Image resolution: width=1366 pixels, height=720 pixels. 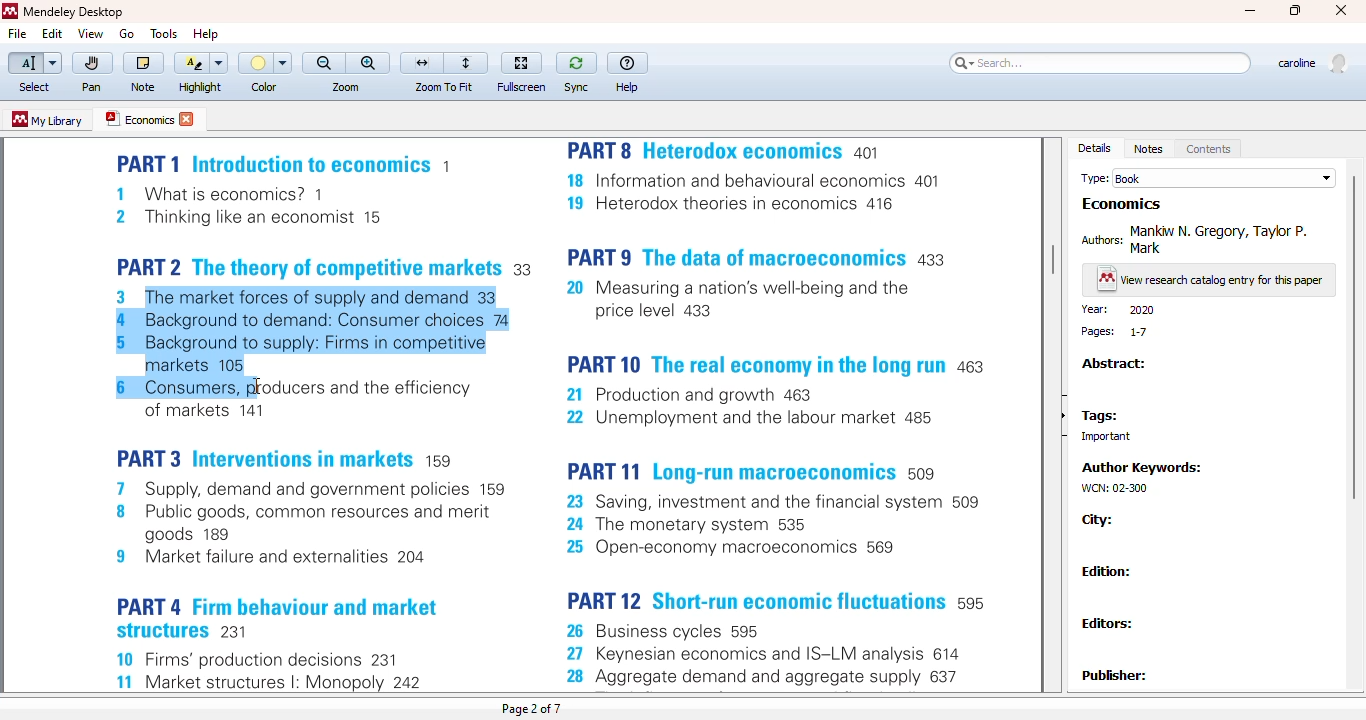 I want to click on minimize, so click(x=1251, y=11).